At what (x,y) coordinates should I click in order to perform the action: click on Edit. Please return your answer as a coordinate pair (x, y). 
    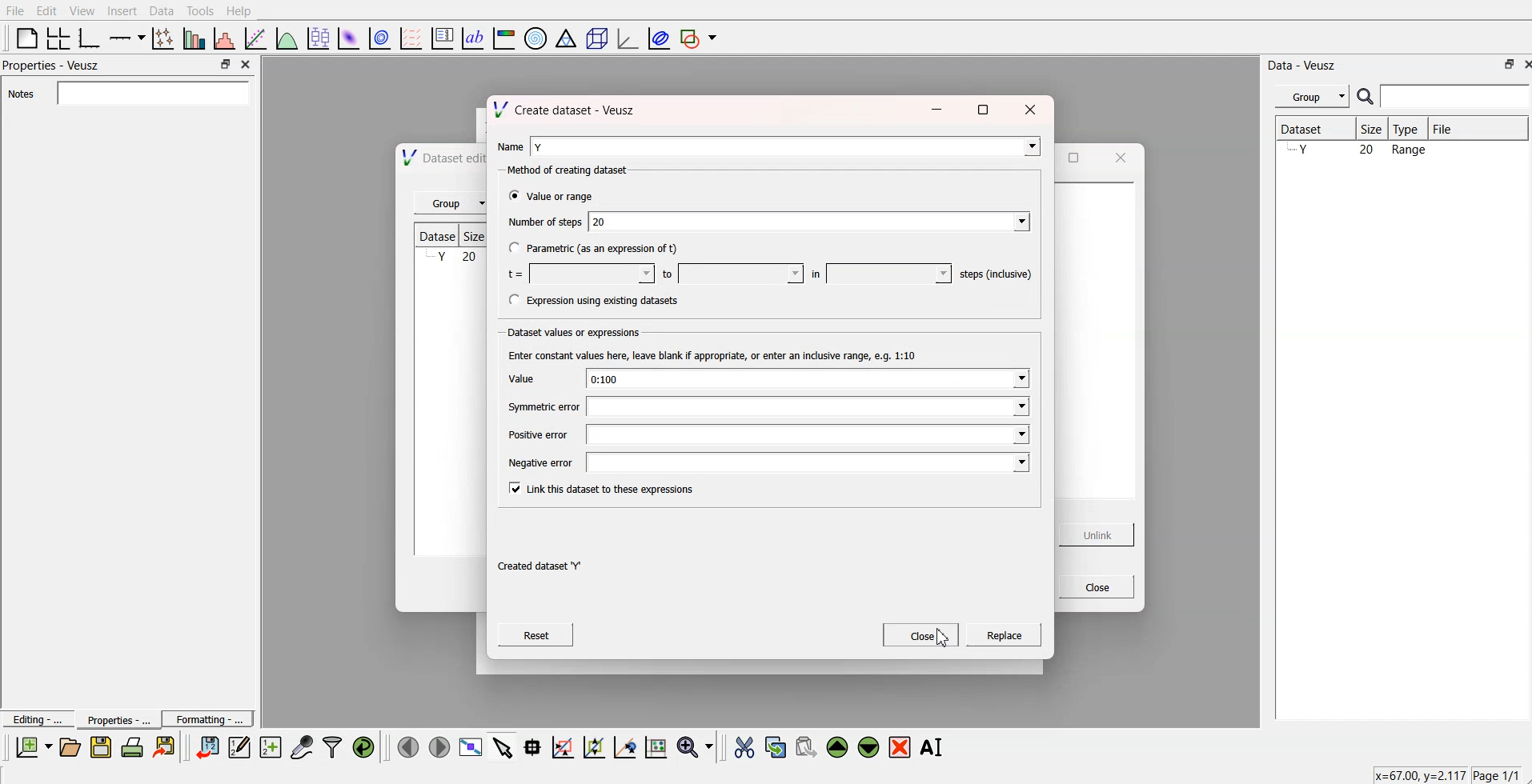
    Looking at the image, I should click on (47, 10).